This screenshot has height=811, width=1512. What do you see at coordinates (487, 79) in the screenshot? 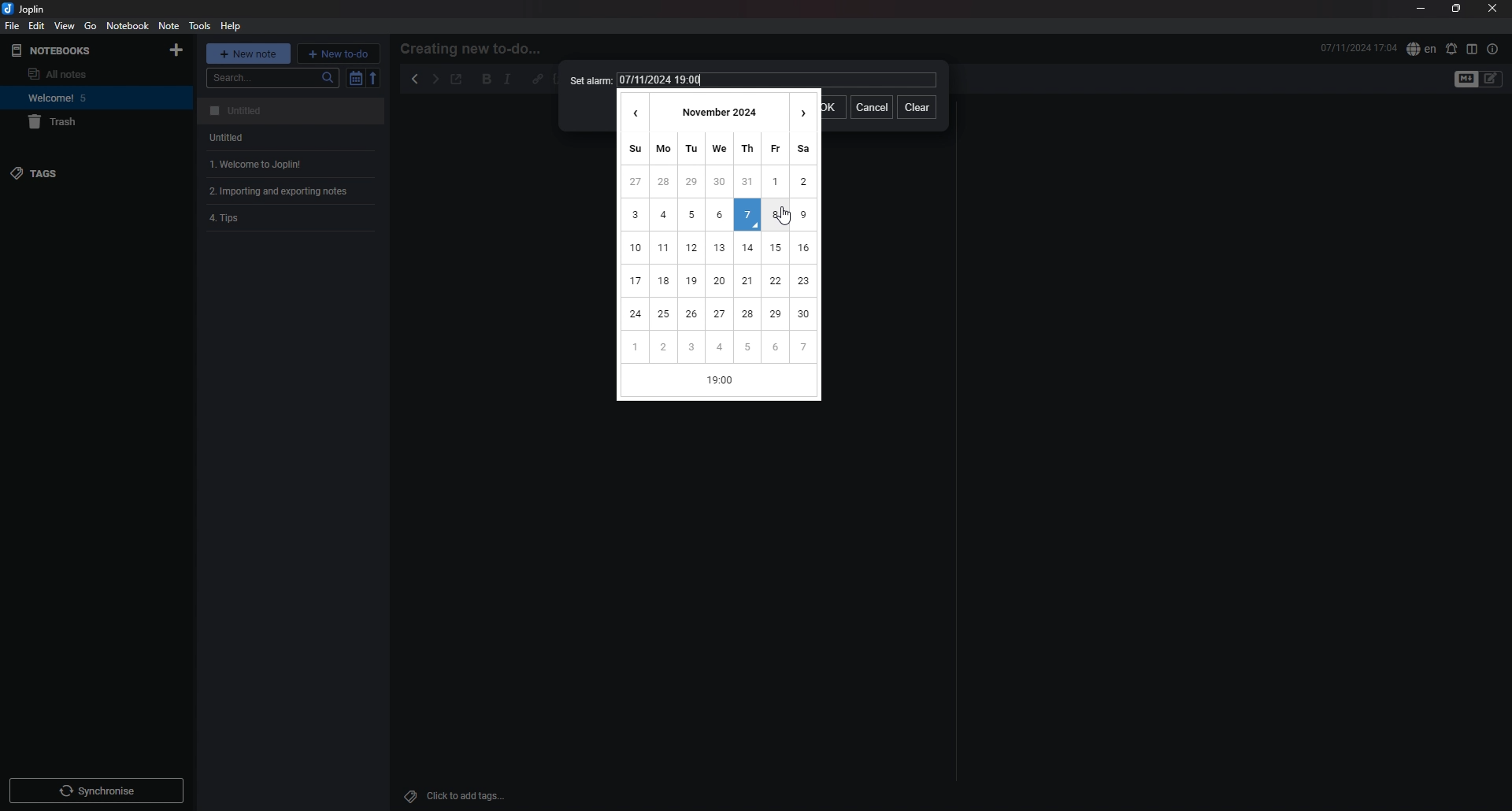
I see `bold` at bounding box center [487, 79].